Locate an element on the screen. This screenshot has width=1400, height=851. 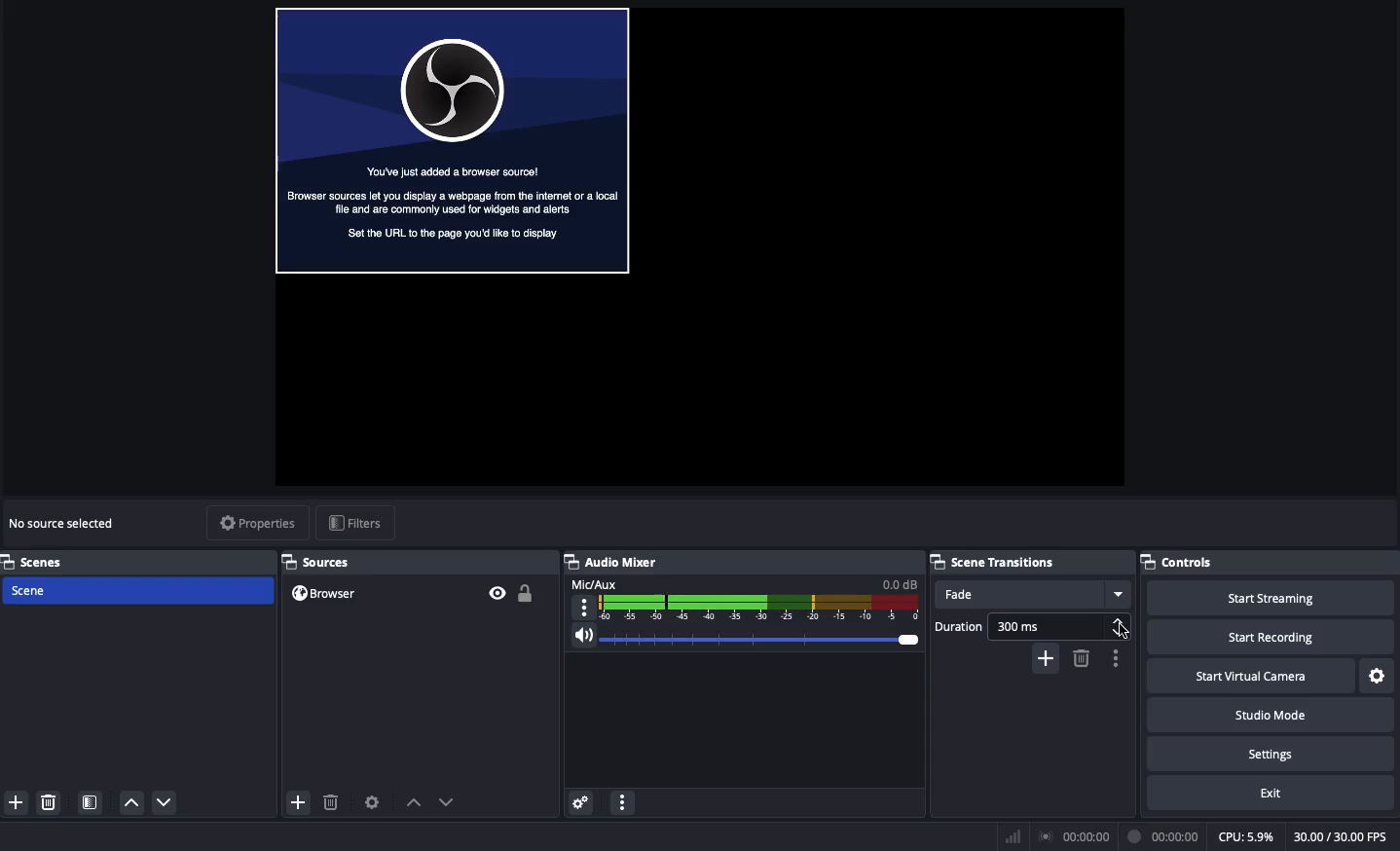
Options is located at coordinates (623, 803).